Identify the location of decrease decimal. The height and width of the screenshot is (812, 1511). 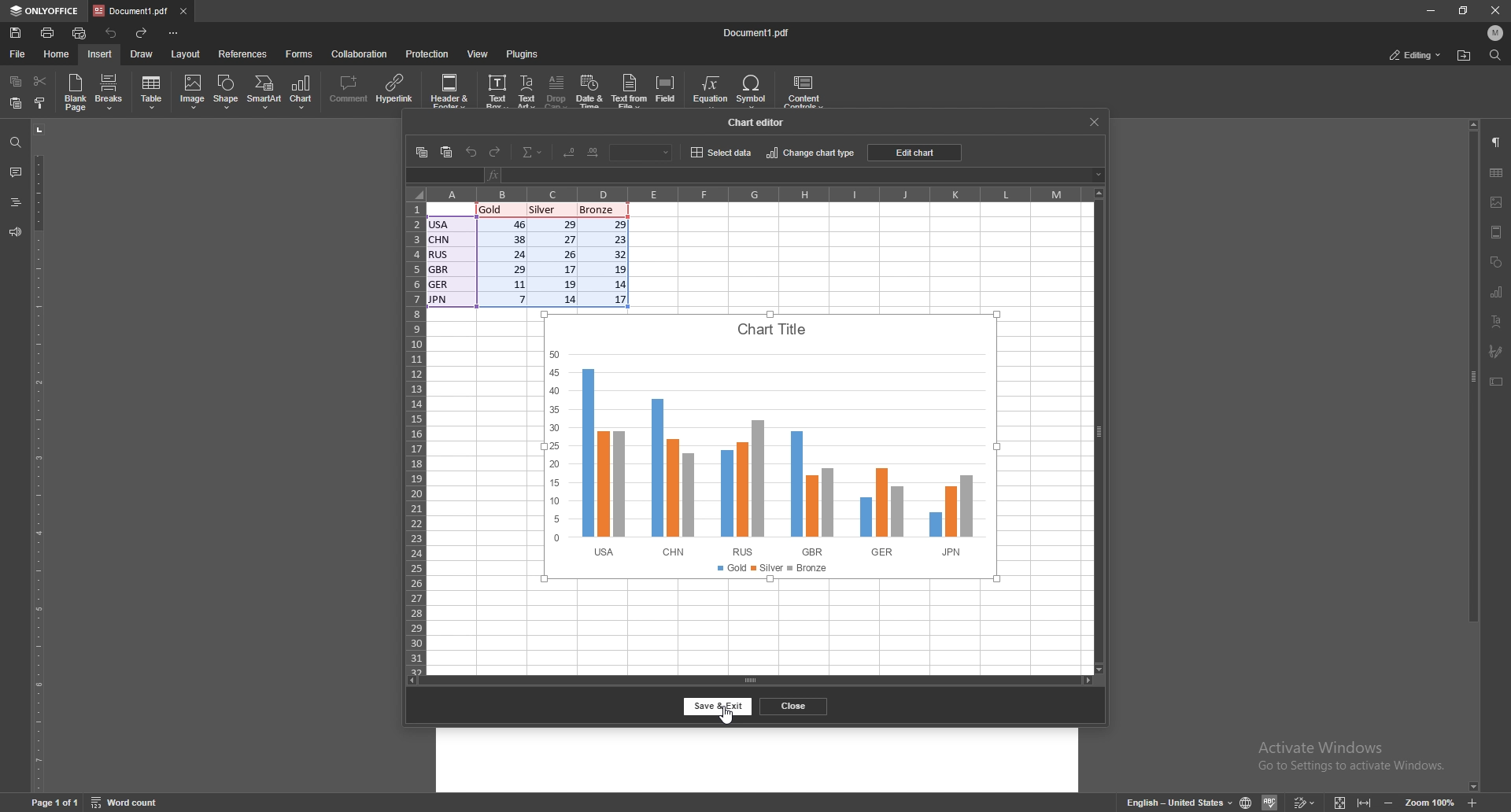
(571, 153).